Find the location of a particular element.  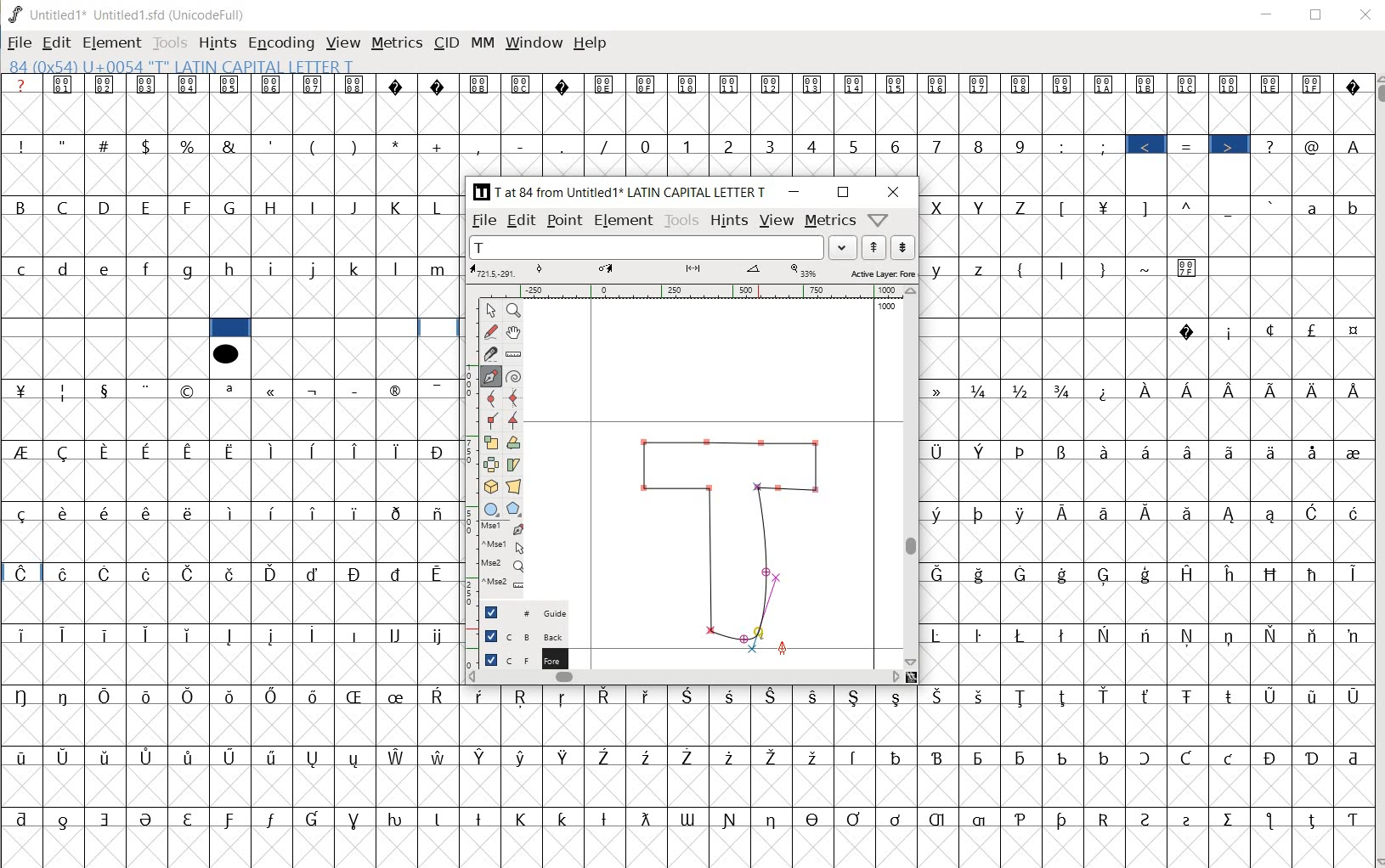

Symbol is located at coordinates (1024, 696).